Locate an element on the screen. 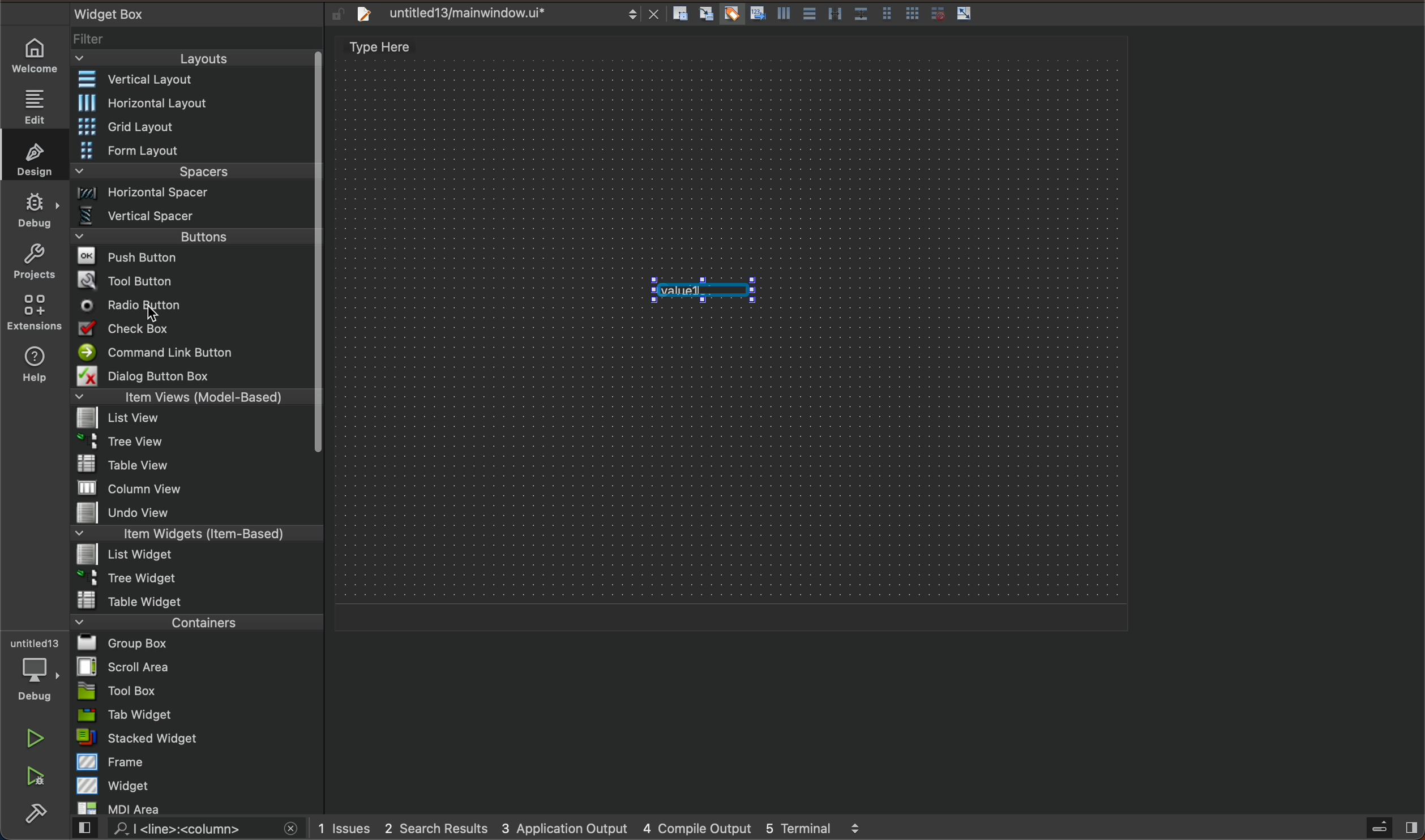 This screenshot has width=1425, height=840. table widget is located at coordinates (198, 600).